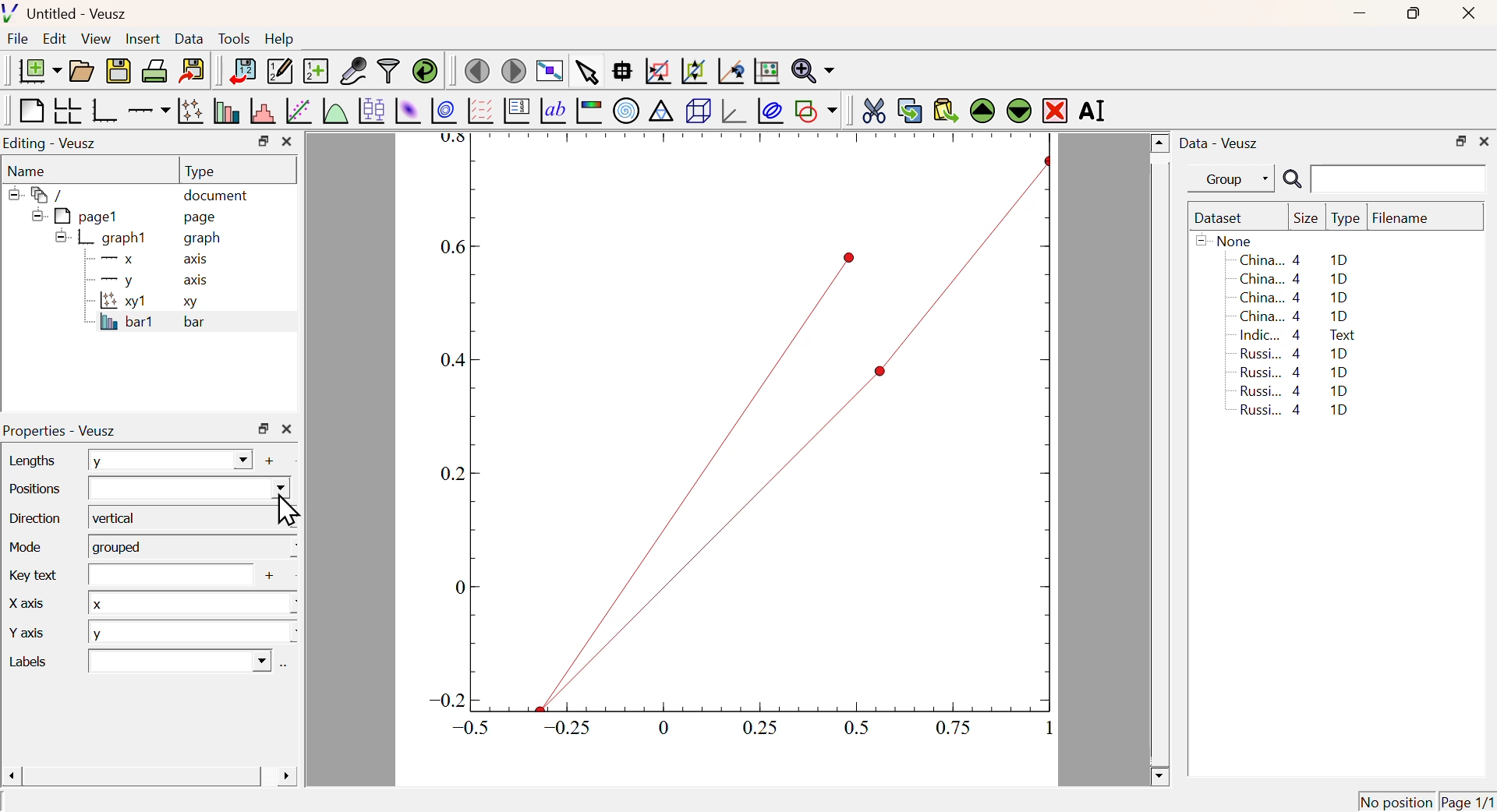  I want to click on Mode, so click(23, 545).